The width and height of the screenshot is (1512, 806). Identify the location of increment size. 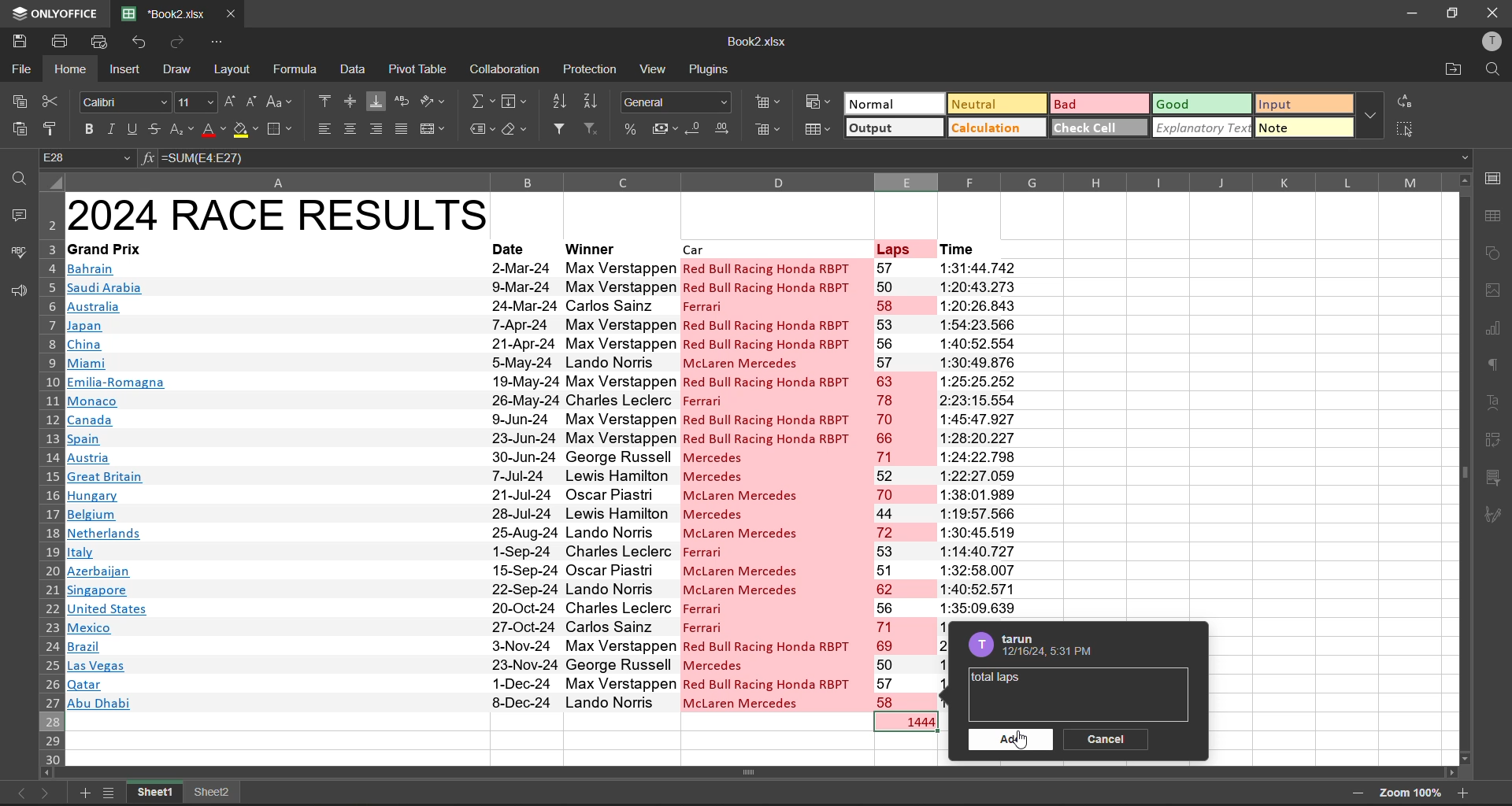
(231, 102).